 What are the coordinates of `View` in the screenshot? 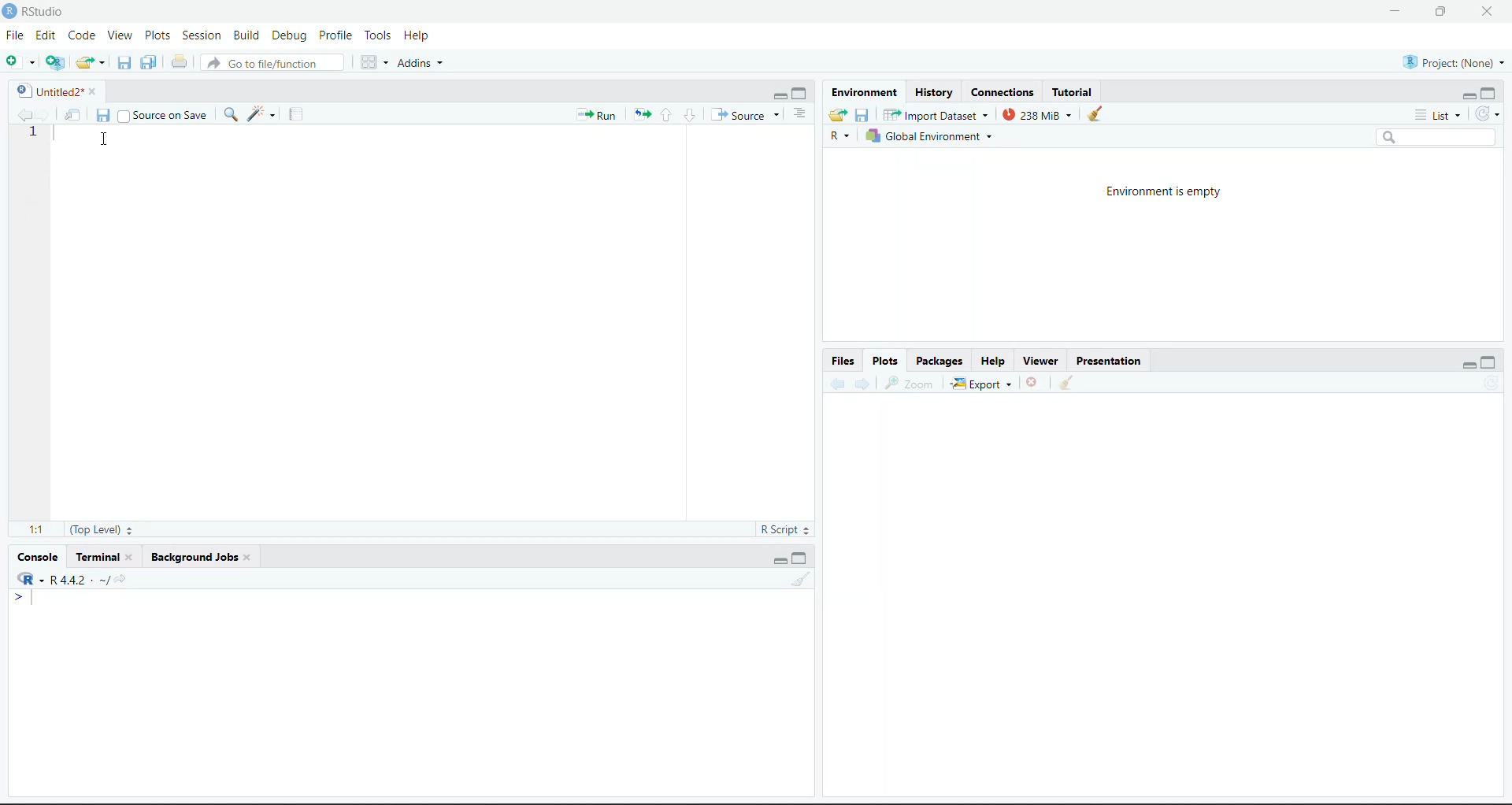 It's located at (121, 35).